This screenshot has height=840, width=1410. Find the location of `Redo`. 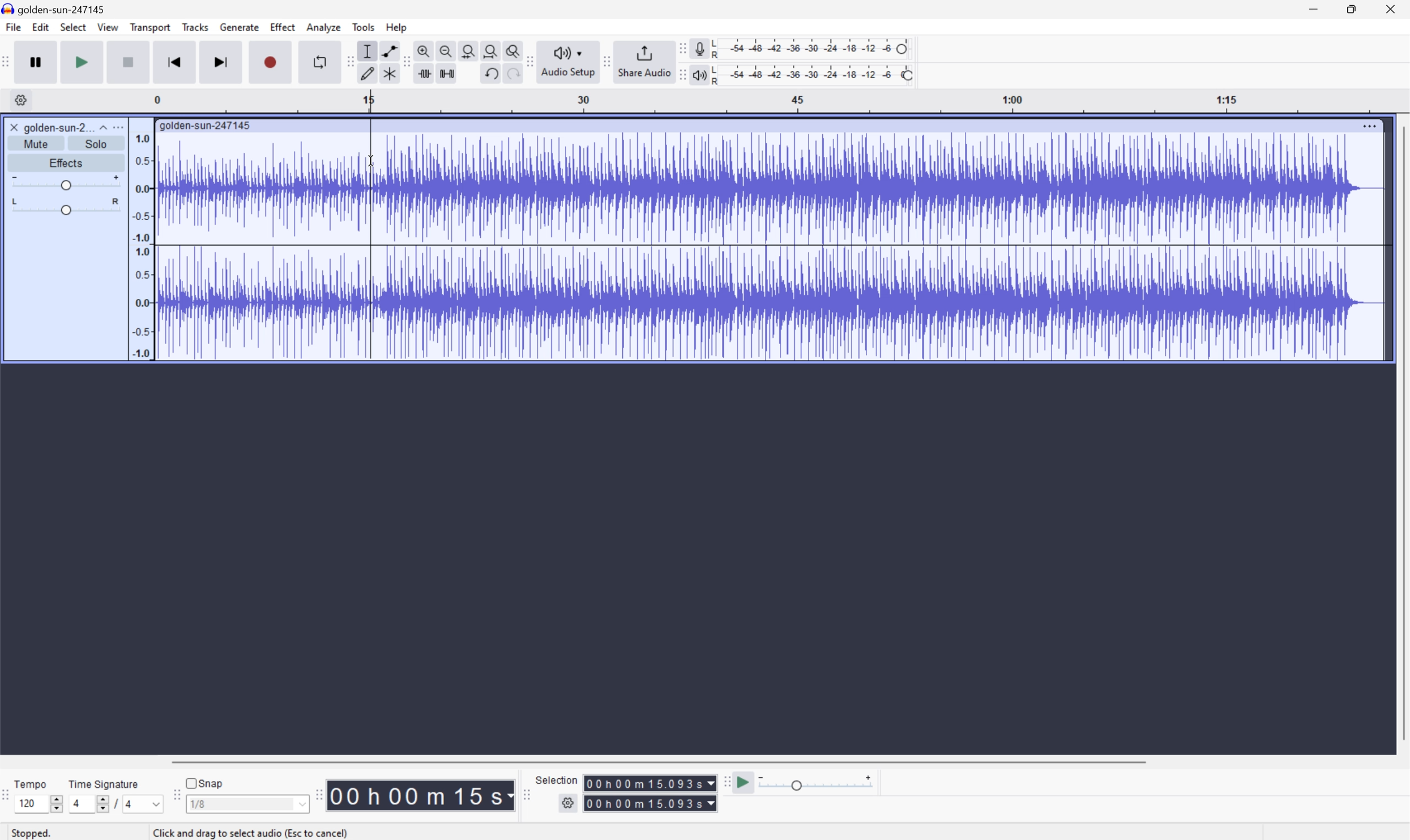

Redo is located at coordinates (511, 78).